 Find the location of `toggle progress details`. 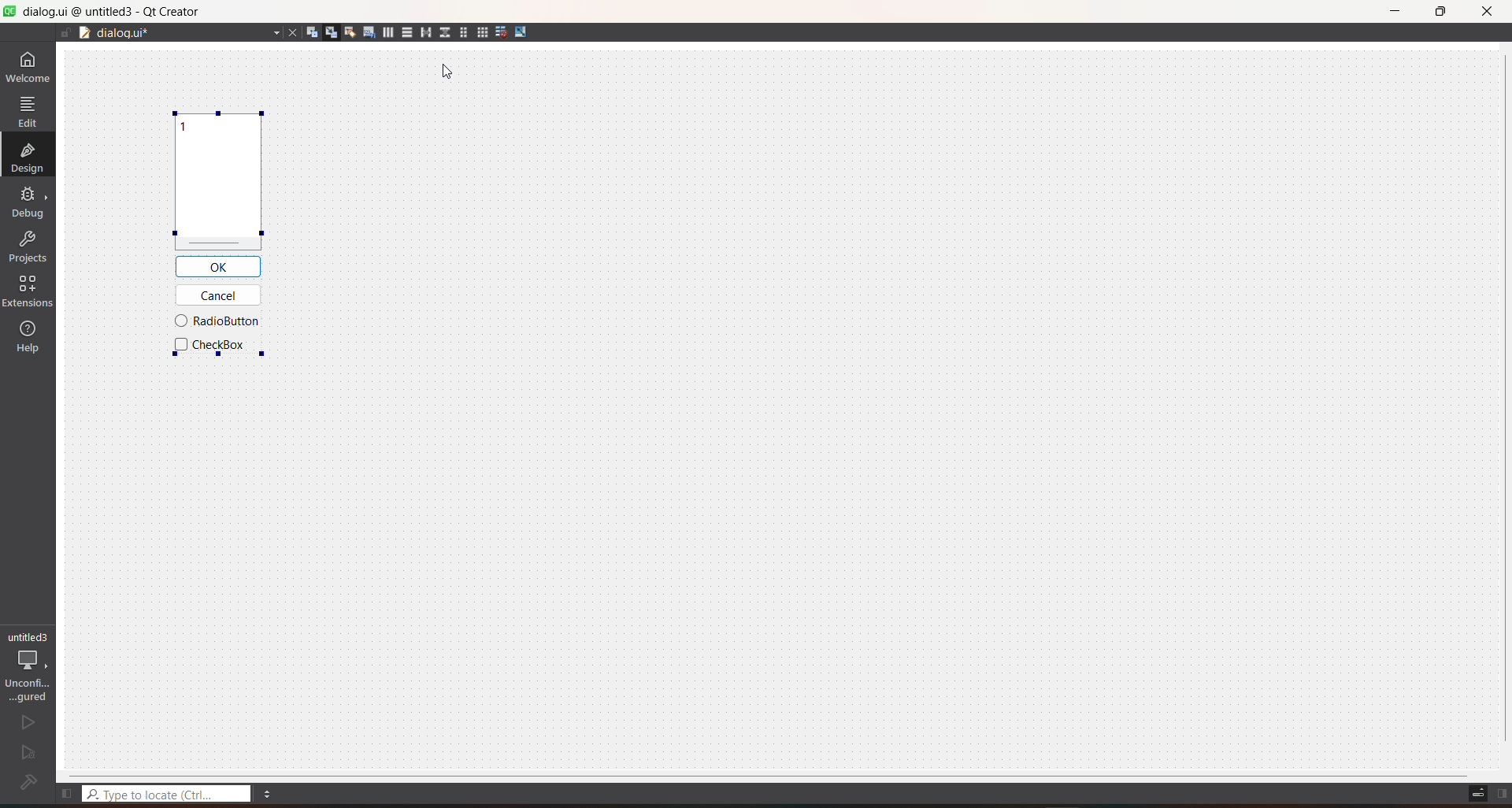

toggle progress details is located at coordinates (1477, 792).